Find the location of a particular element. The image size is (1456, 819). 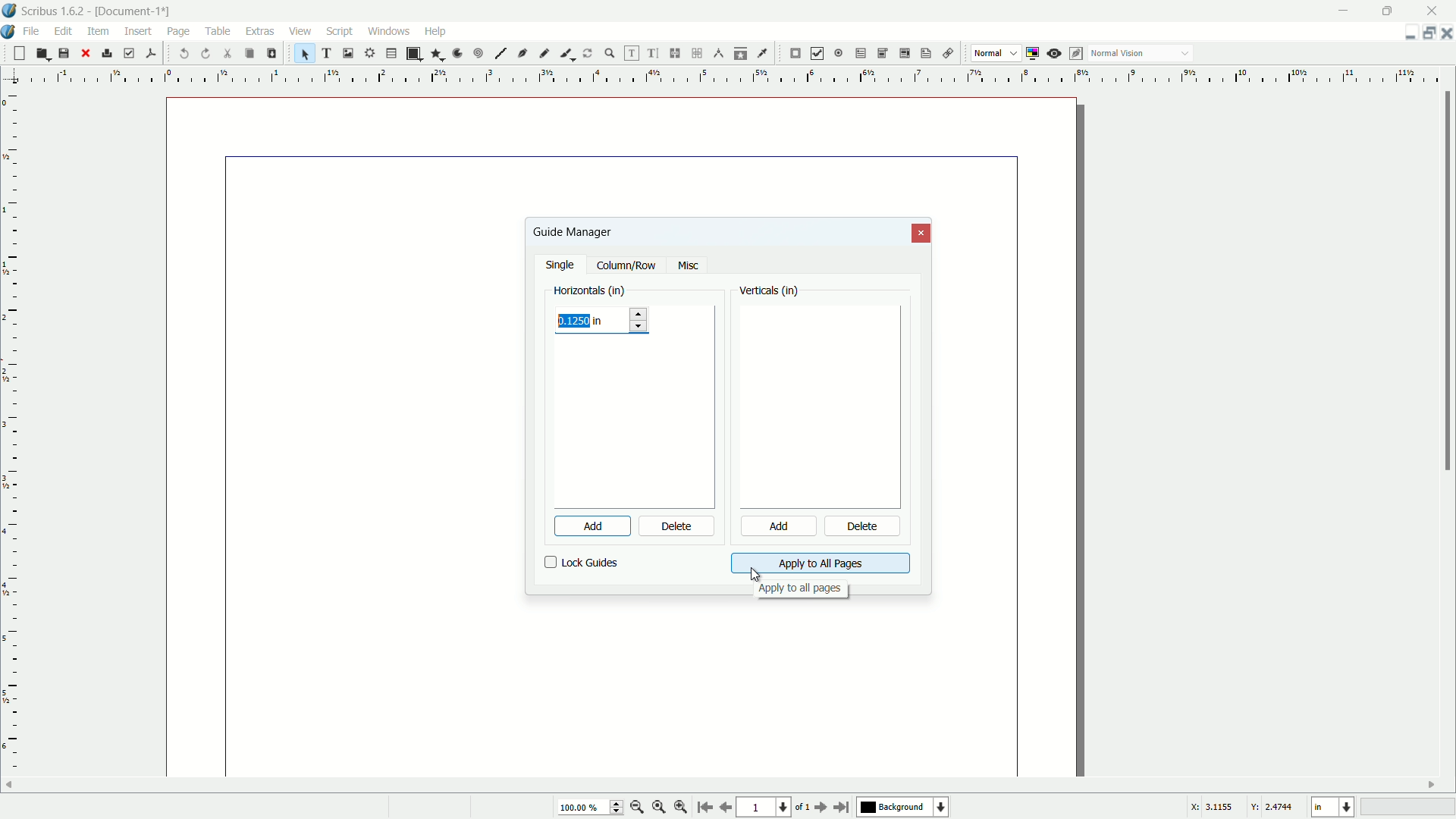

previous page is located at coordinates (725, 808).